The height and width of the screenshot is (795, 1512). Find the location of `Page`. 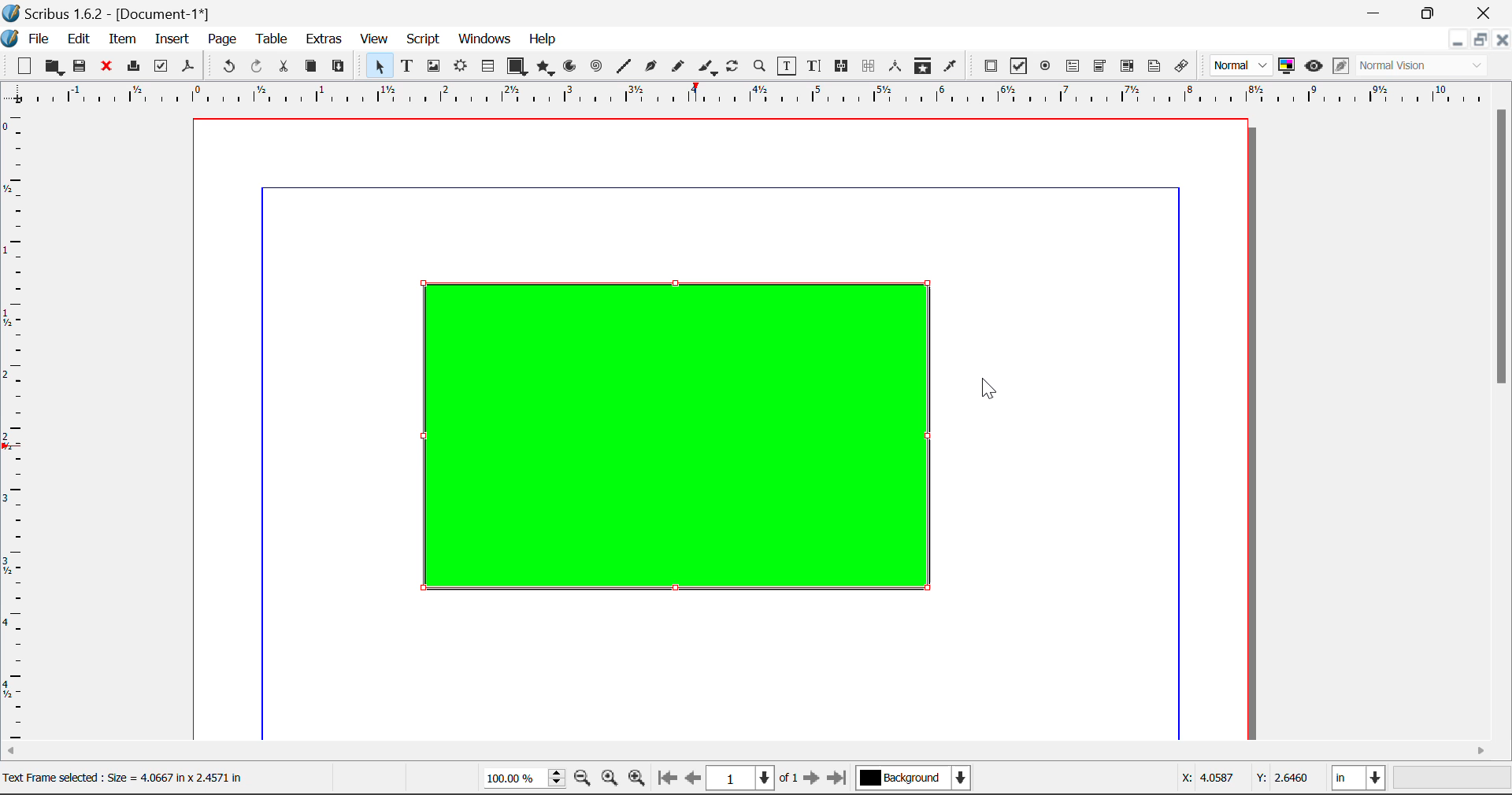

Page is located at coordinates (221, 39).